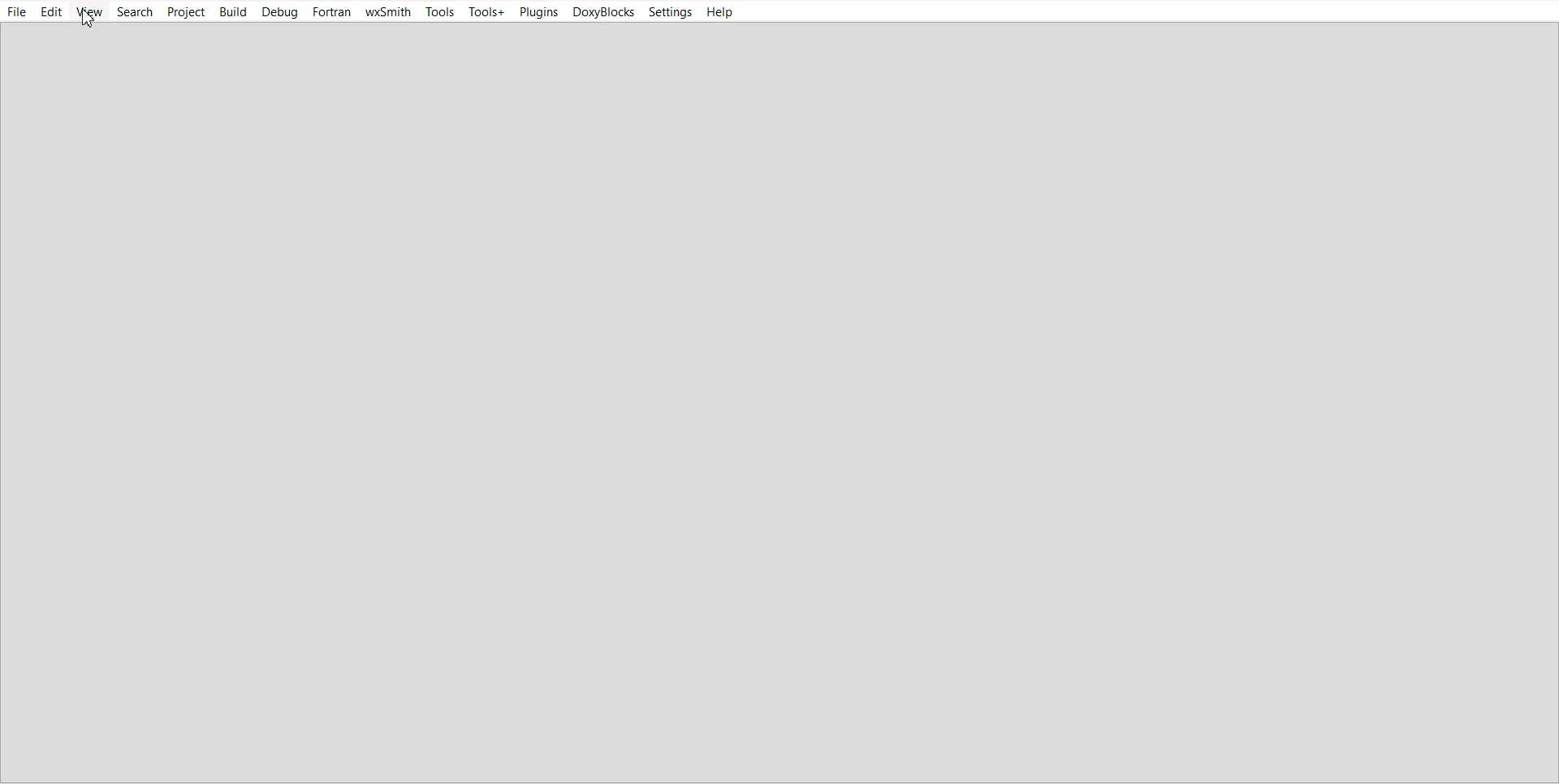 The height and width of the screenshot is (784, 1559). Describe the element at coordinates (281, 13) in the screenshot. I see `Debug` at that location.